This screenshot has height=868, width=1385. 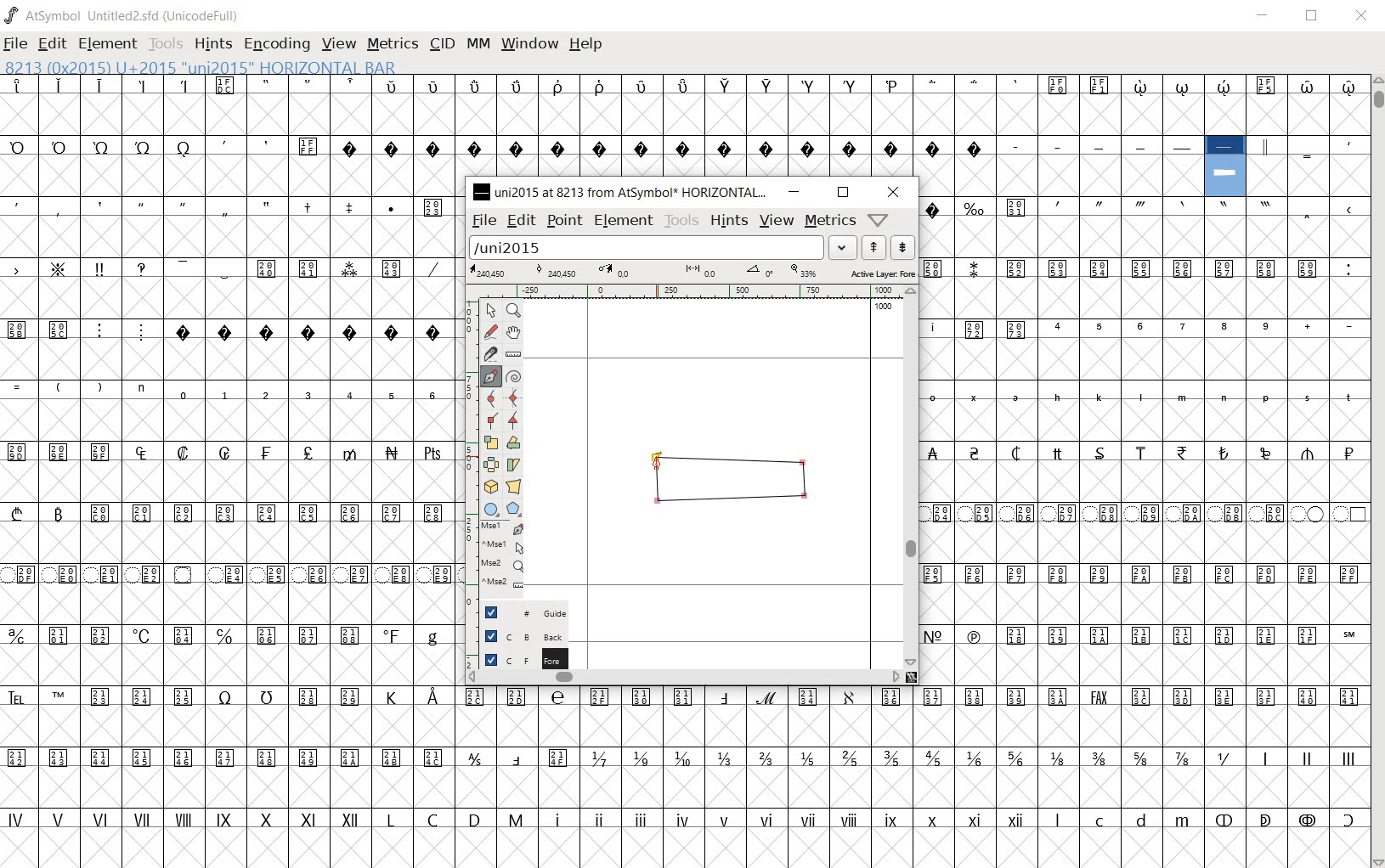 What do you see at coordinates (657, 465) in the screenshot?
I see `Feltpen tool/cursor location` at bounding box center [657, 465].